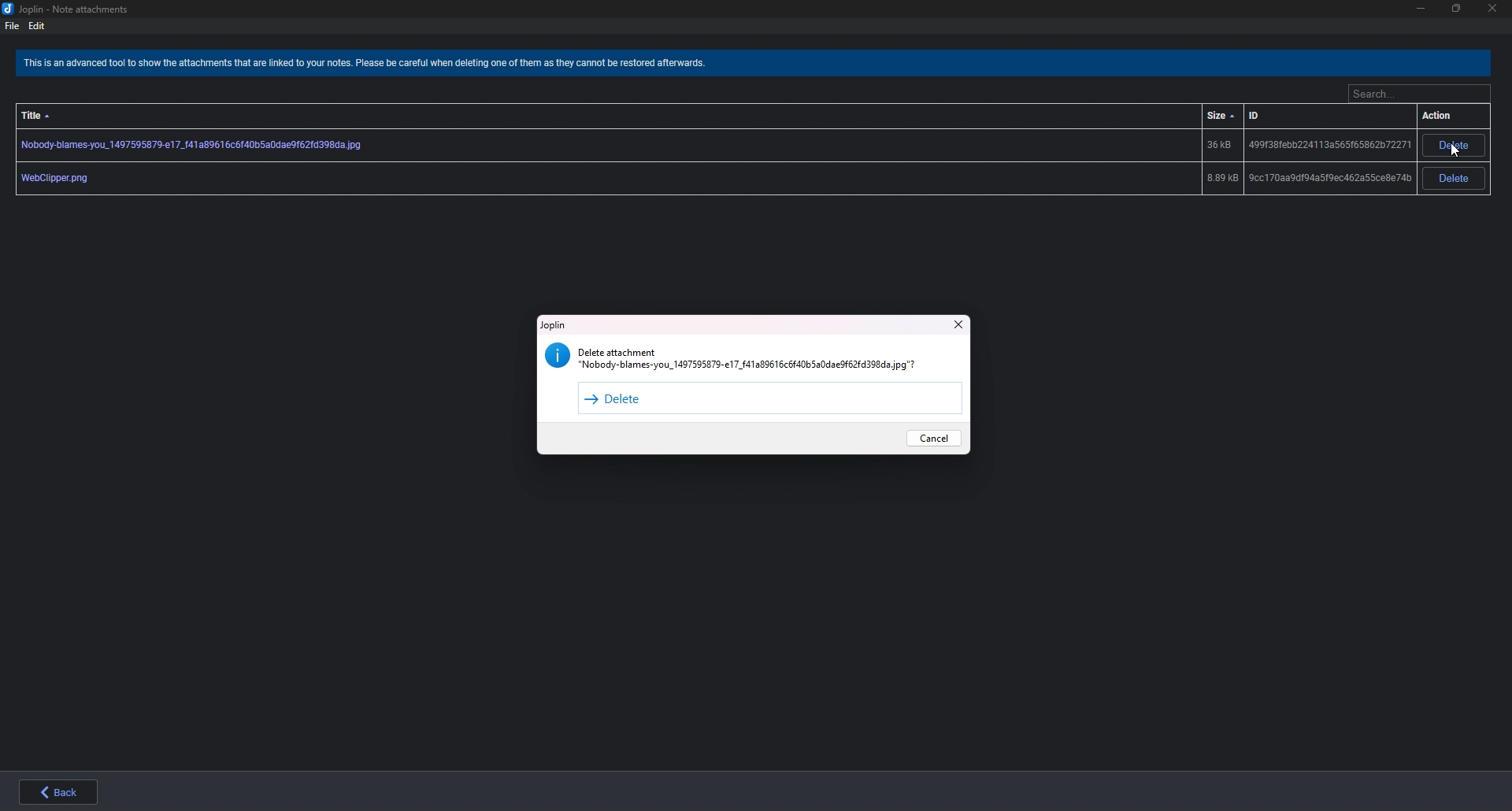  Describe the element at coordinates (713, 145) in the screenshot. I see `Attachment` at that location.